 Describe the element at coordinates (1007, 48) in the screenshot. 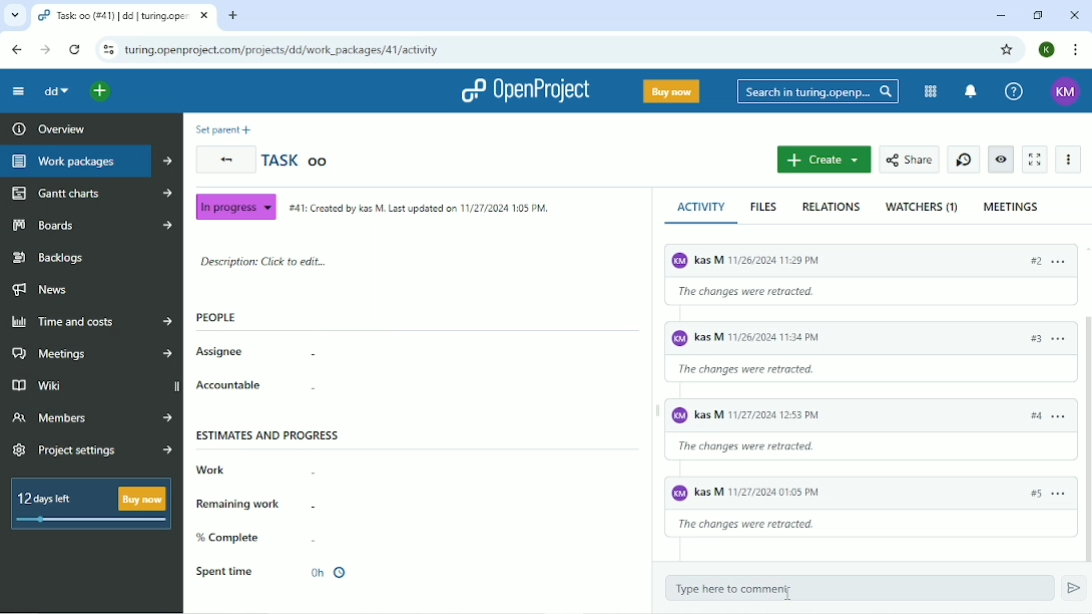

I see `Bookmark this tab` at that location.